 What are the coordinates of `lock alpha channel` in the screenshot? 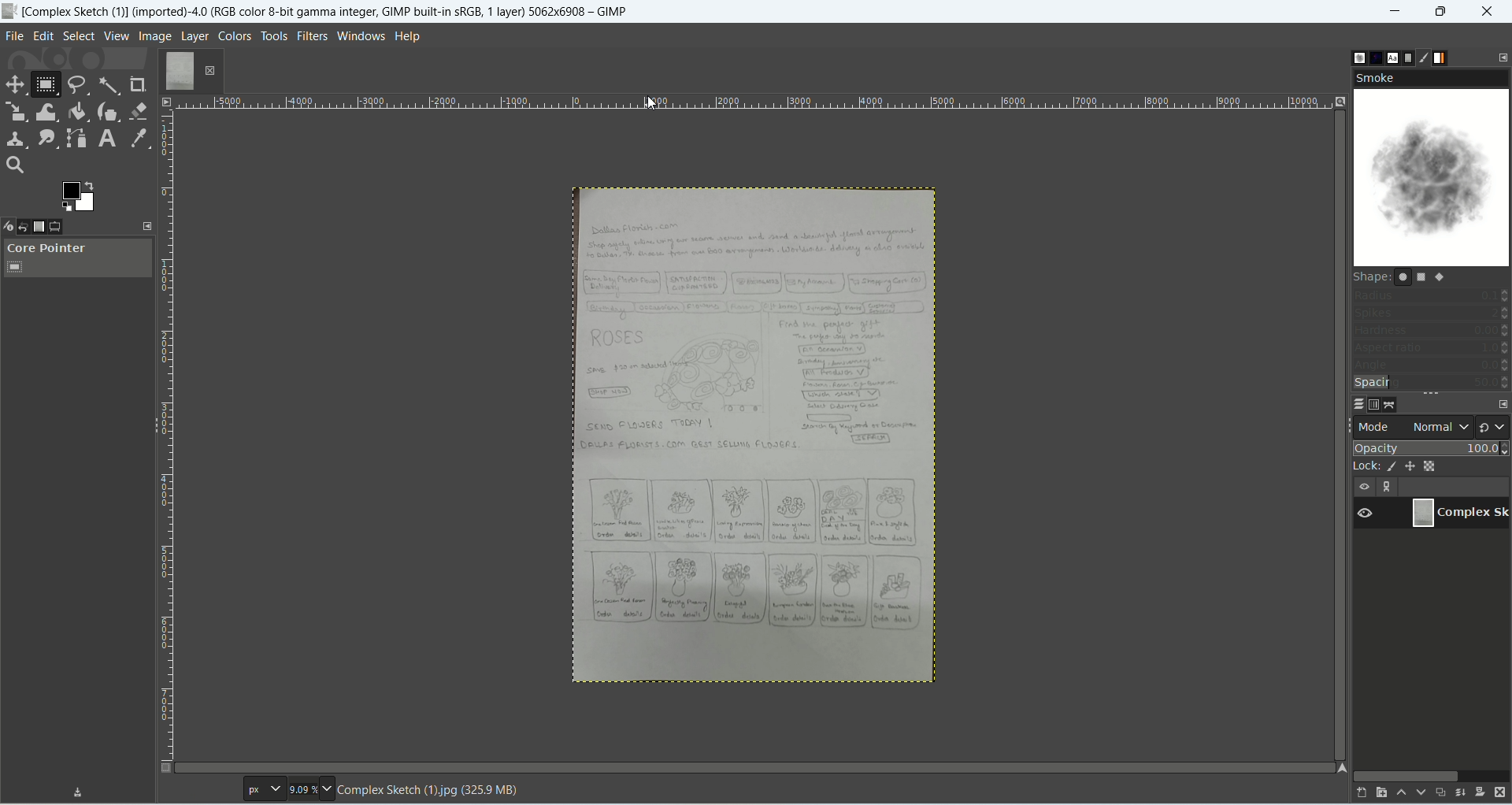 It's located at (1429, 467).